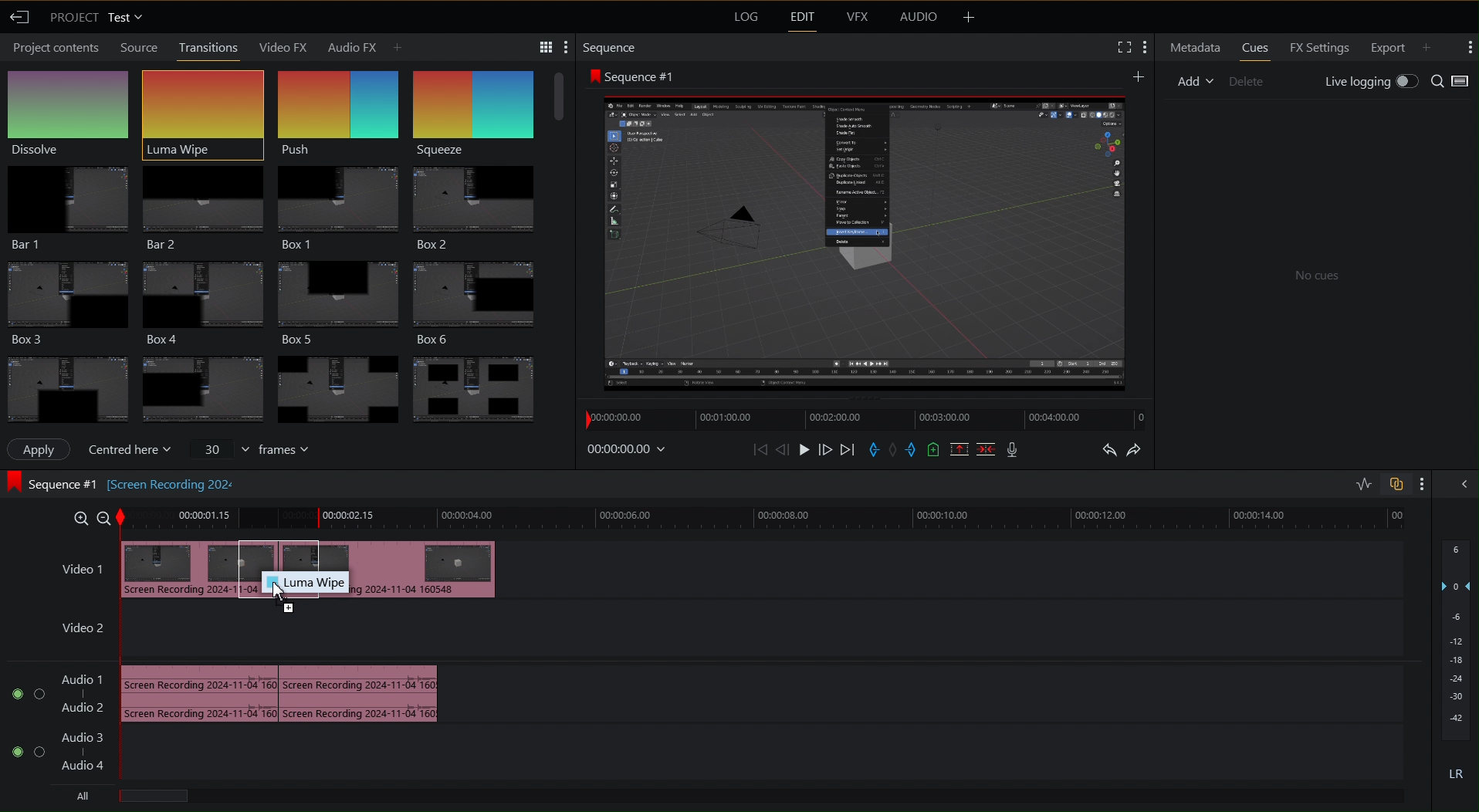 The width and height of the screenshot is (1479, 812). What do you see at coordinates (630, 449) in the screenshot?
I see `Timestamp` at bounding box center [630, 449].